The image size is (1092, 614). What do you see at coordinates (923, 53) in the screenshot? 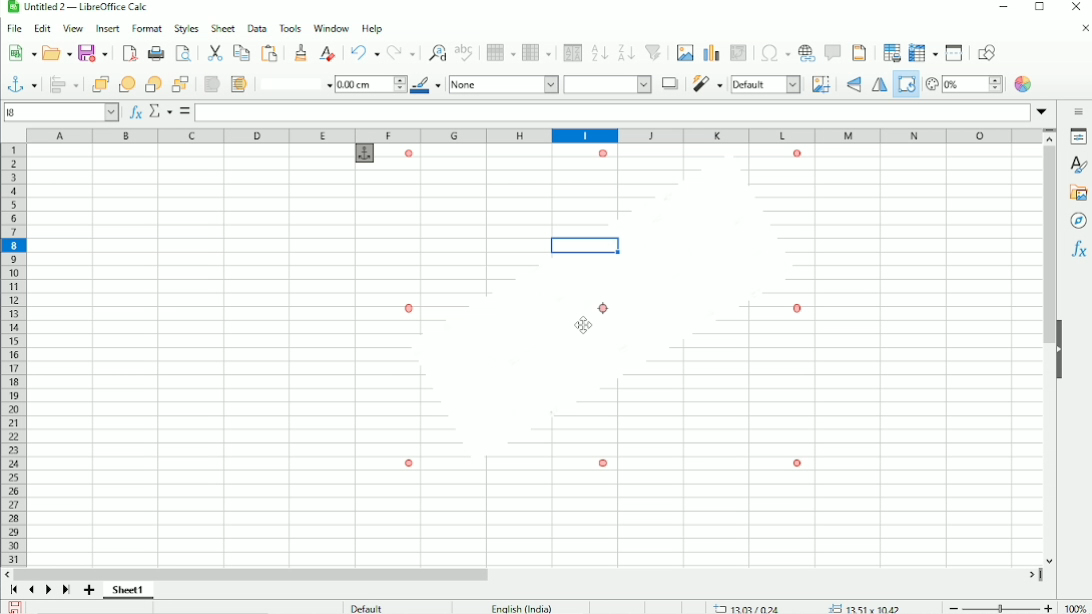
I see `Freeze rows and columns` at bounding box center [923, 53].